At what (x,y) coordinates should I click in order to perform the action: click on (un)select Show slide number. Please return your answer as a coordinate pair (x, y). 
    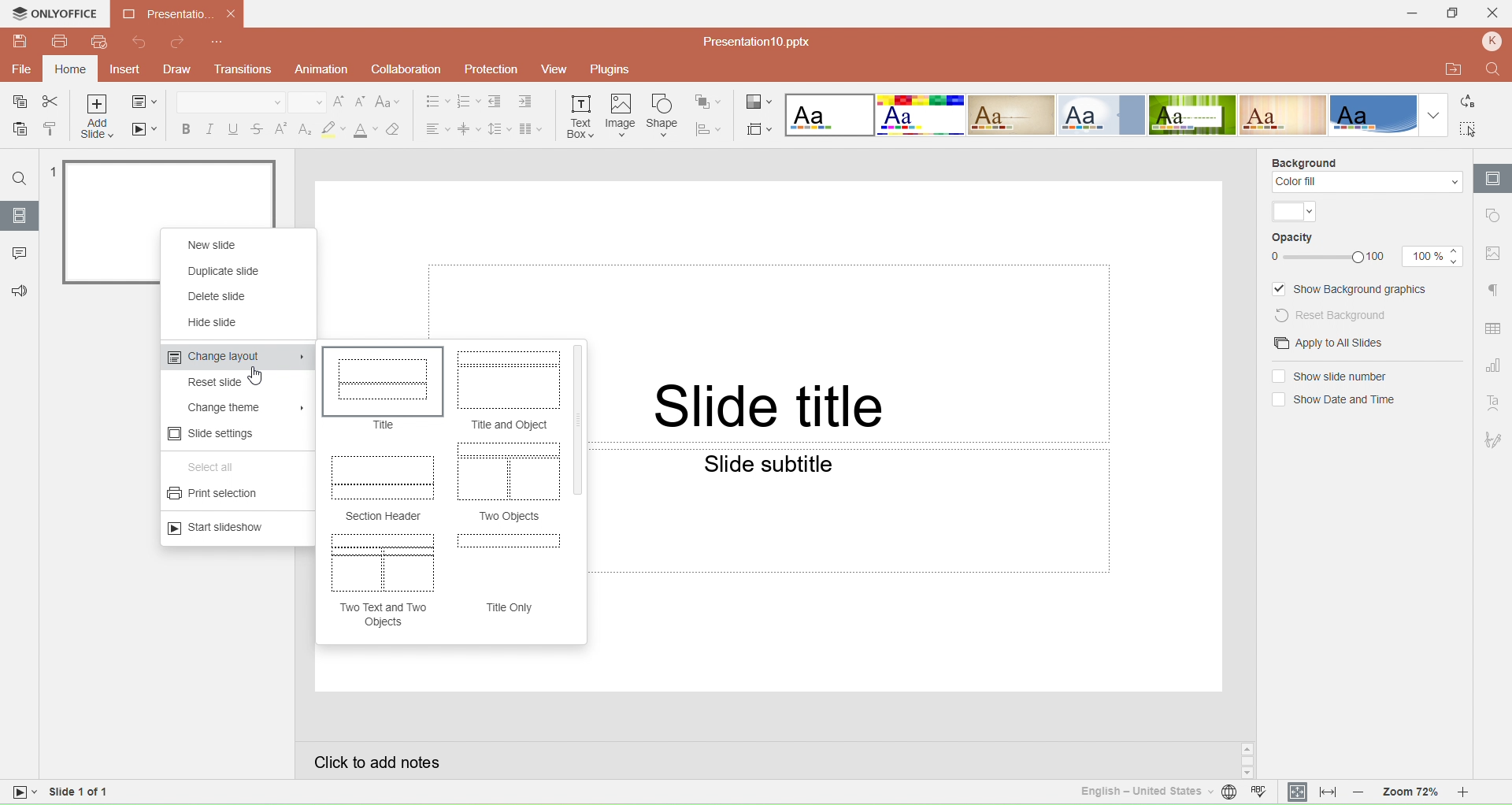
    Looking at the image, I should click on (1329, 377).